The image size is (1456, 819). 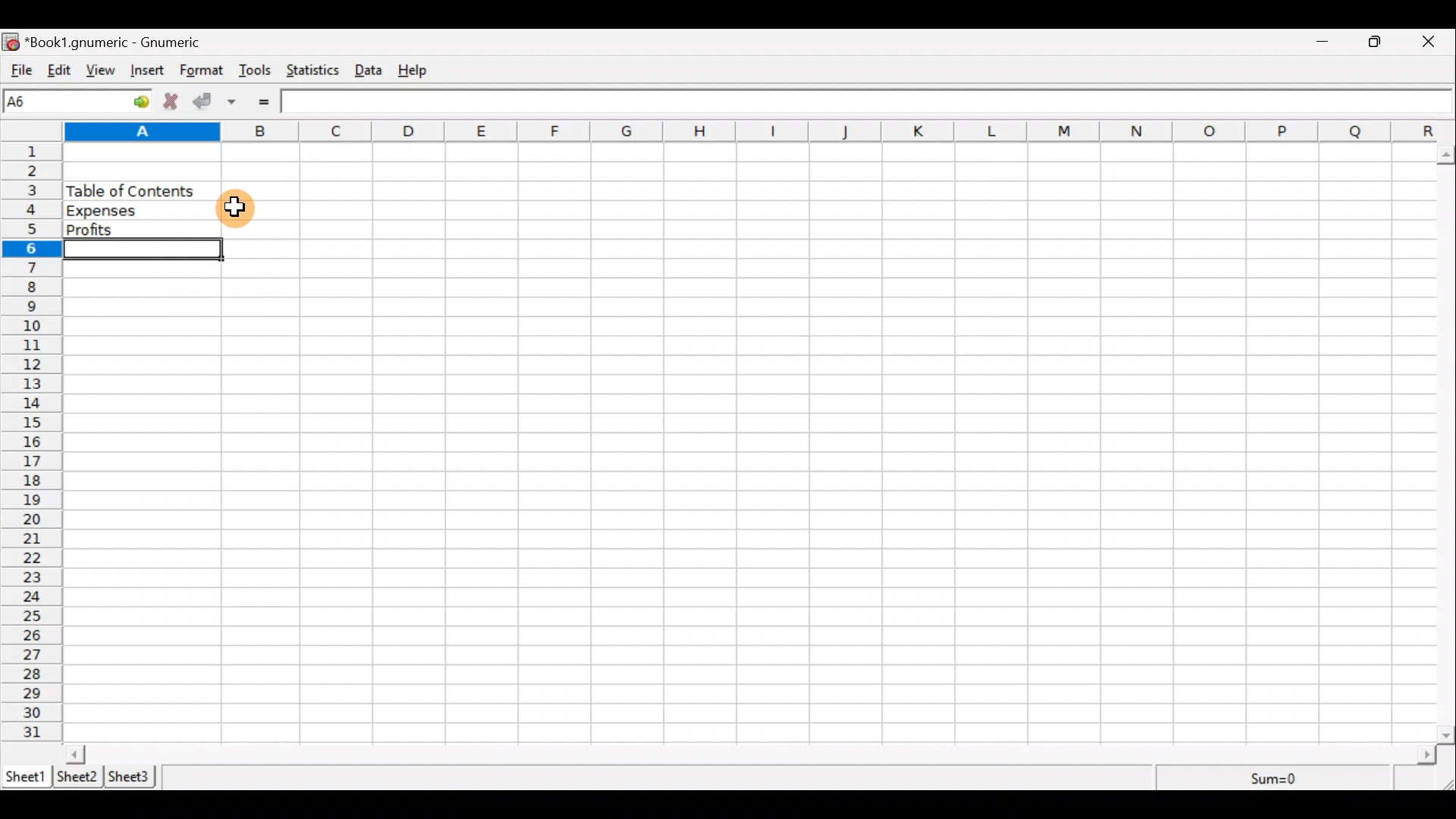 What do you see at coordinates (150, 70) in the screenshot?
I see `Insert` at bounding box center [150, 70].